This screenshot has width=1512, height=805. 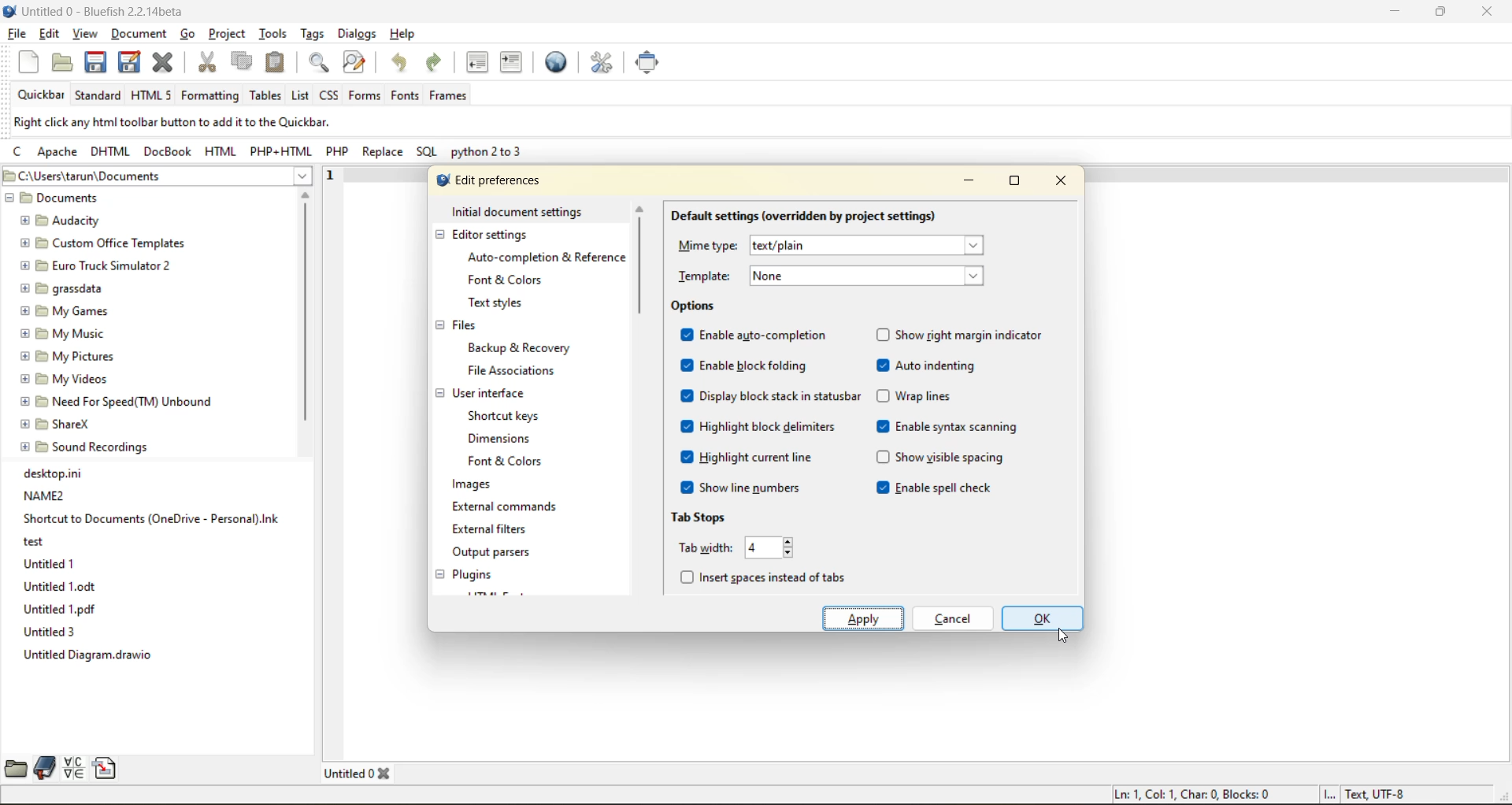 I want to click on test, so click(x=35, y=540).